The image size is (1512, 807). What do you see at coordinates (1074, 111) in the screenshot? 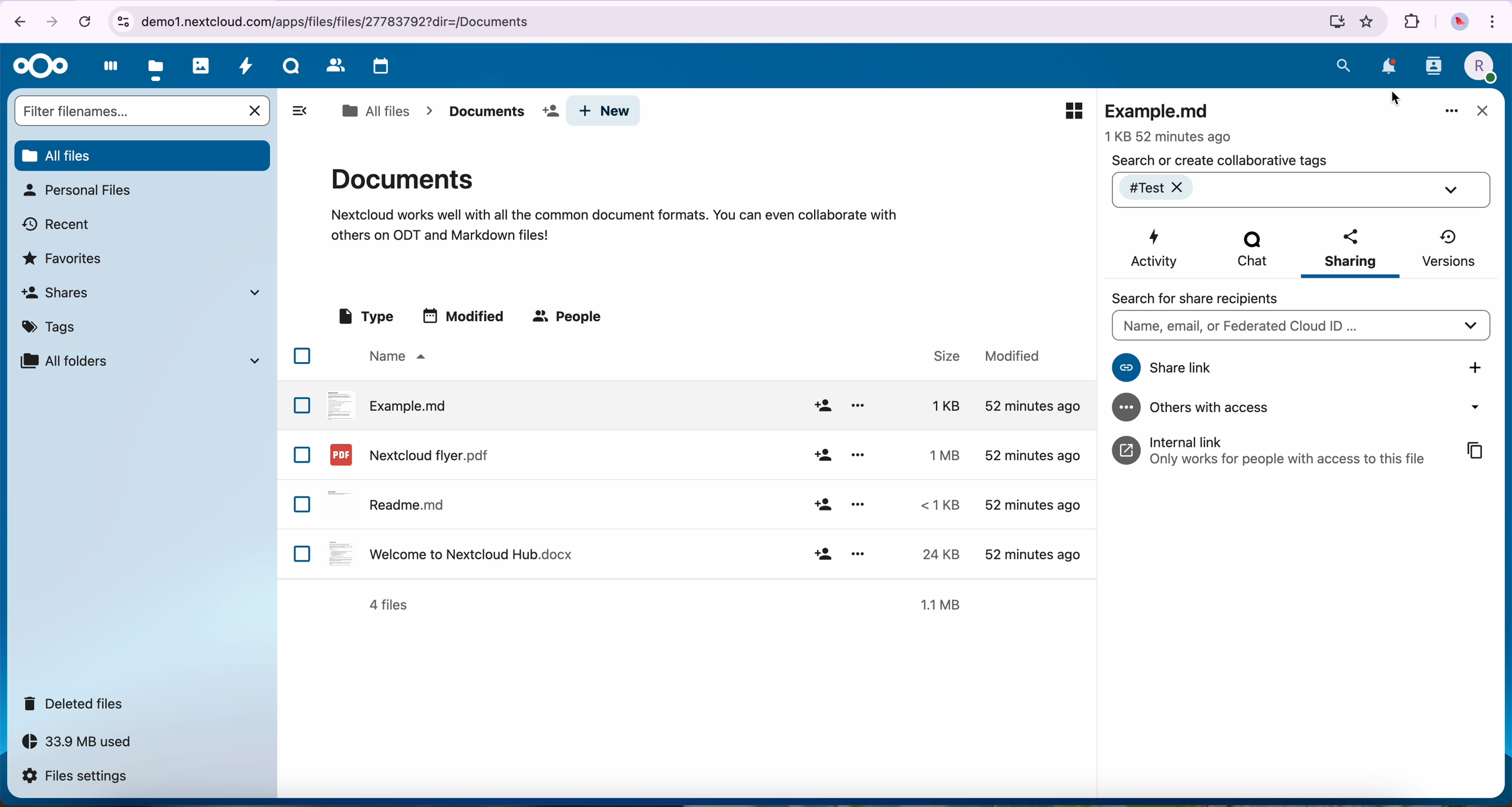
I see `preview` at bounding box center [1074, 111].